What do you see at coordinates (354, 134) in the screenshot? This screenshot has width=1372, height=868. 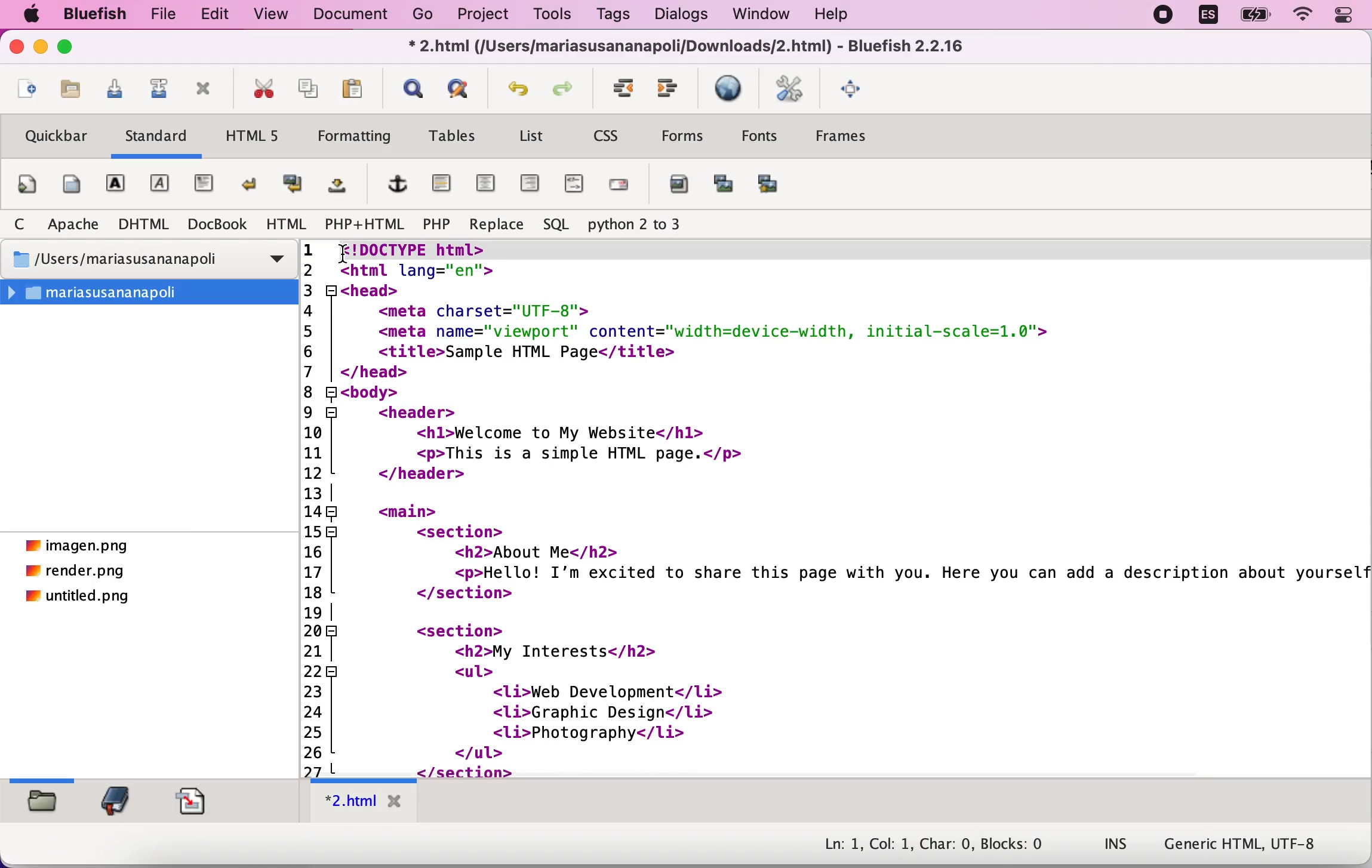 I see `formatting` at bounding box center [354, 134].